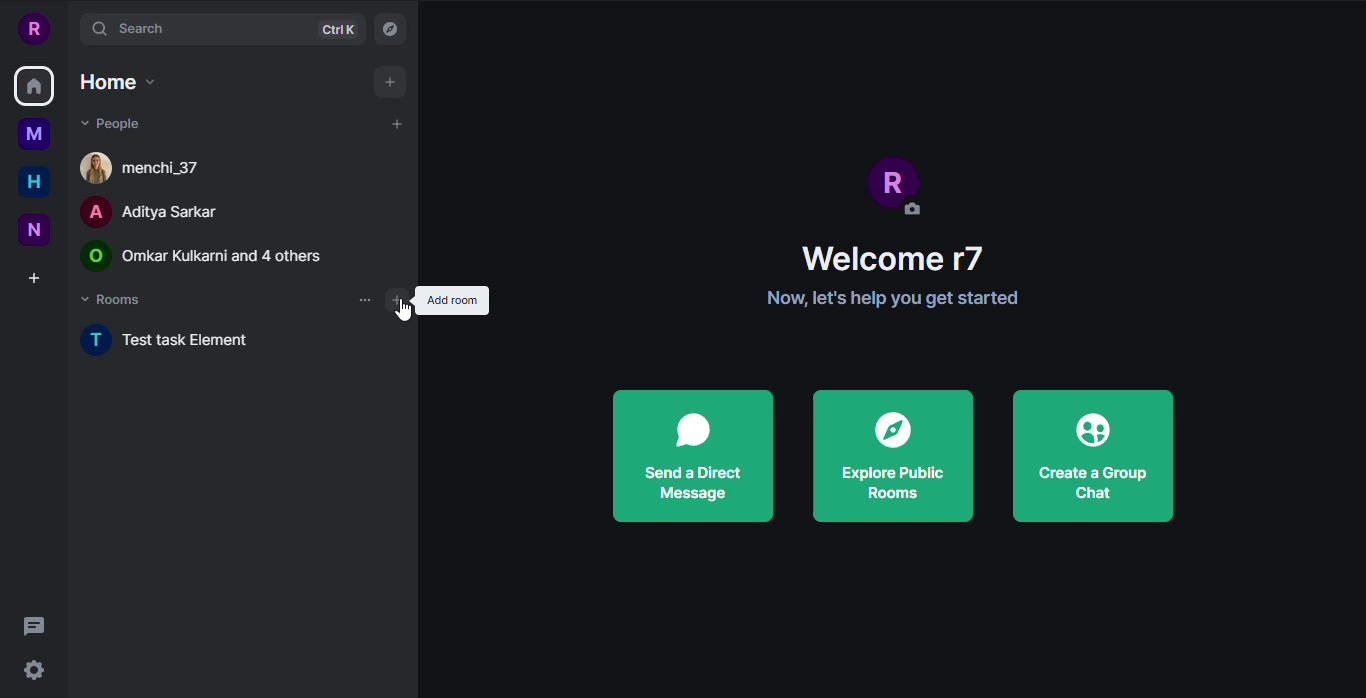  What do you see at coordinates (32, 27) in the screenshot?
I see `profile` at bounding box center [32, 27].